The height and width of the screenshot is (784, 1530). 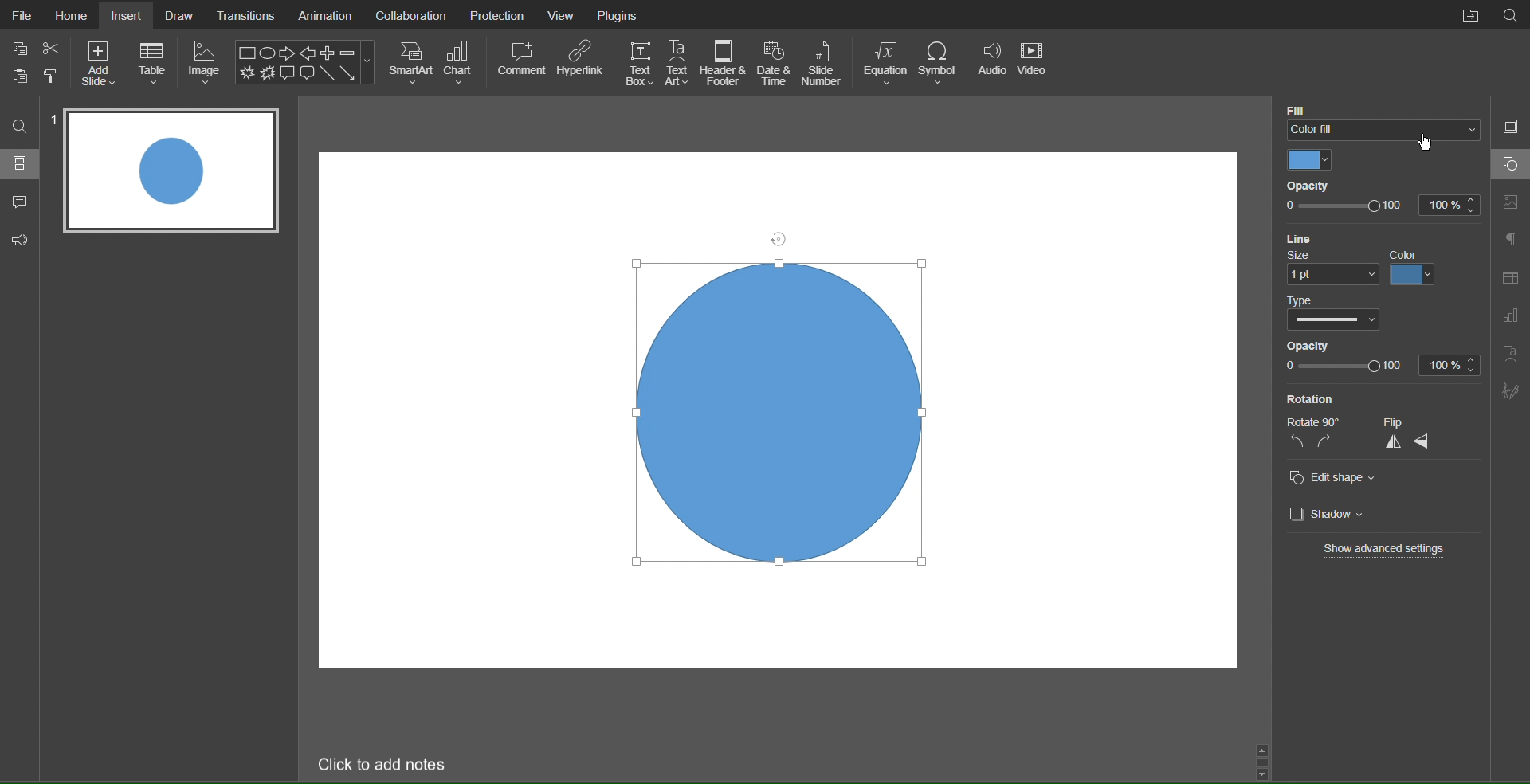 What do you see at coordinates (772, 62) in the screenshot?
I see `Date and Time` at bounding box center [772, 62].